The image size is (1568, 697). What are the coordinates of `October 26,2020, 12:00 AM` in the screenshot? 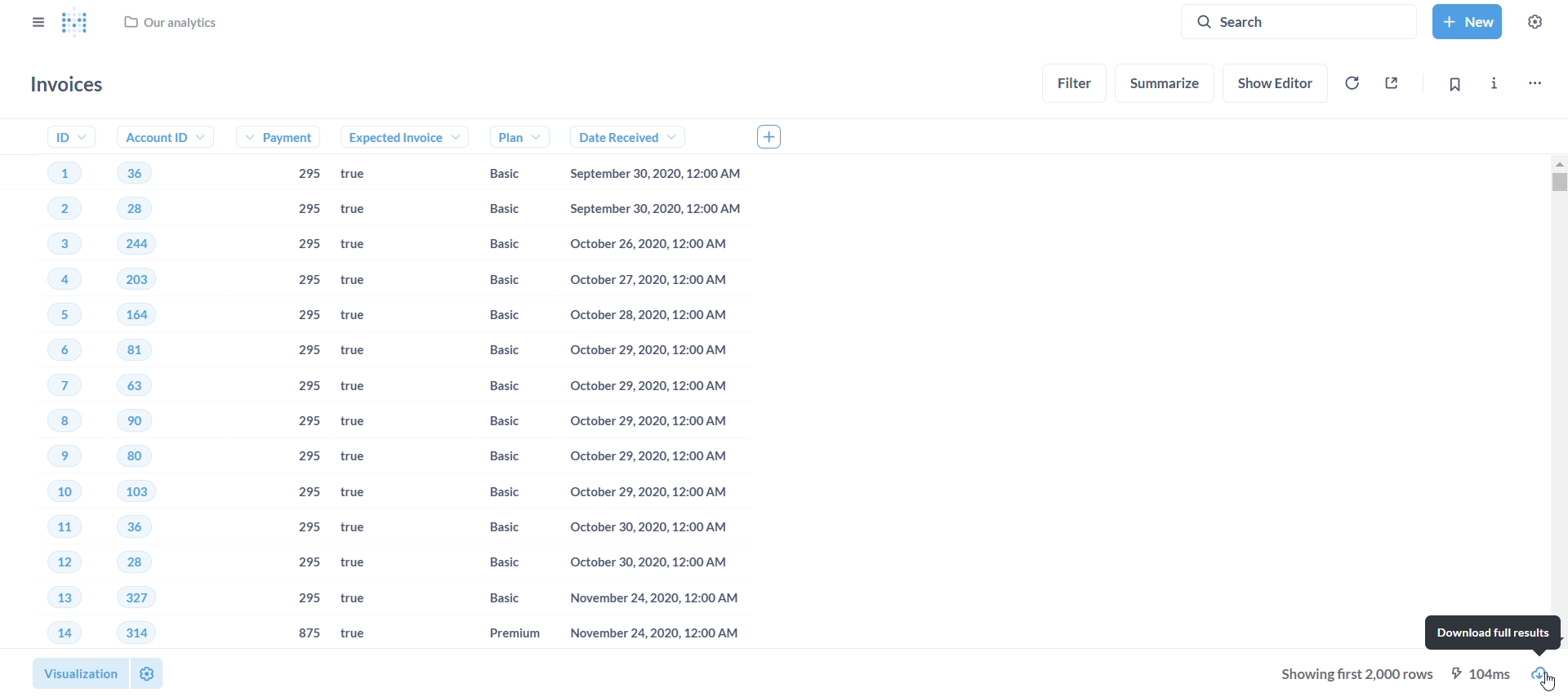 It's located at (657, 245).